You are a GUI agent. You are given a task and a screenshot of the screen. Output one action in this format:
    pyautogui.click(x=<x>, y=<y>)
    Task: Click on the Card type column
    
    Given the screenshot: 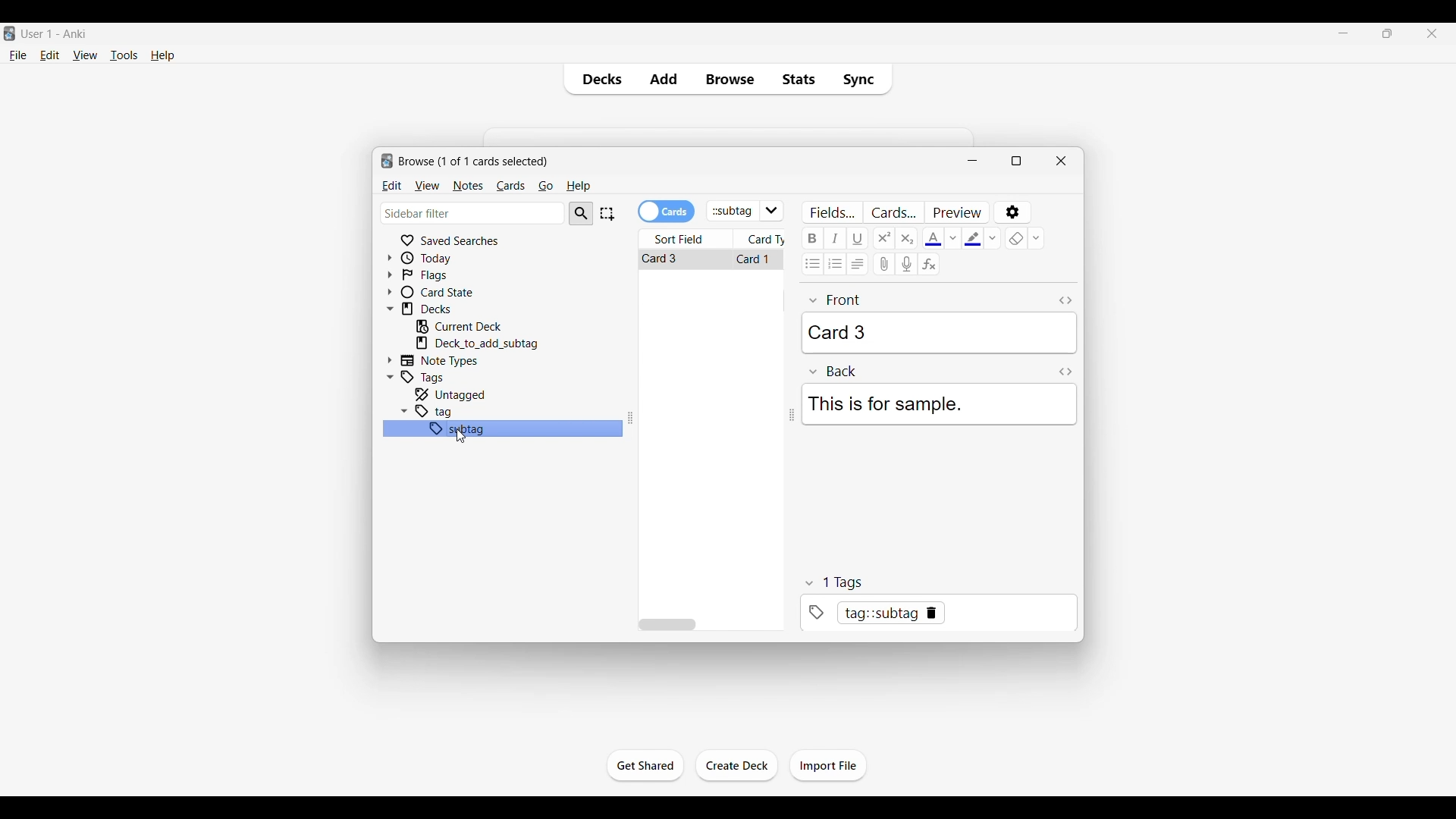 What is the action you would take?
    pyautogui.click(x=763, y=237)
    